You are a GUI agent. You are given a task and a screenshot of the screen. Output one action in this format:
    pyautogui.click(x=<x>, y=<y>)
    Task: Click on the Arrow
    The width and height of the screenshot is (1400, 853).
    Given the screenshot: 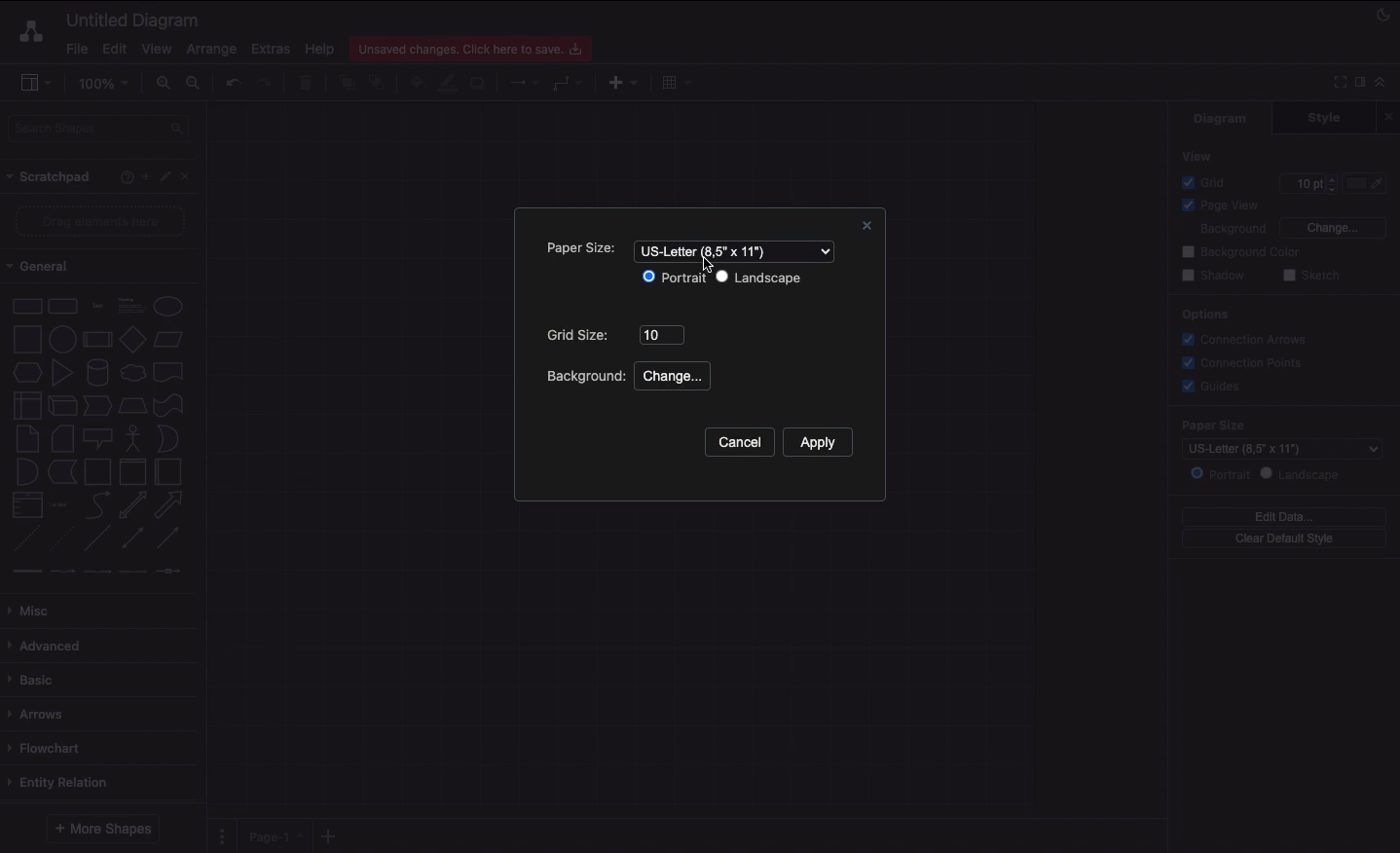 What is the action you would take?
    pyautogui.click(x=169, y=505)
    